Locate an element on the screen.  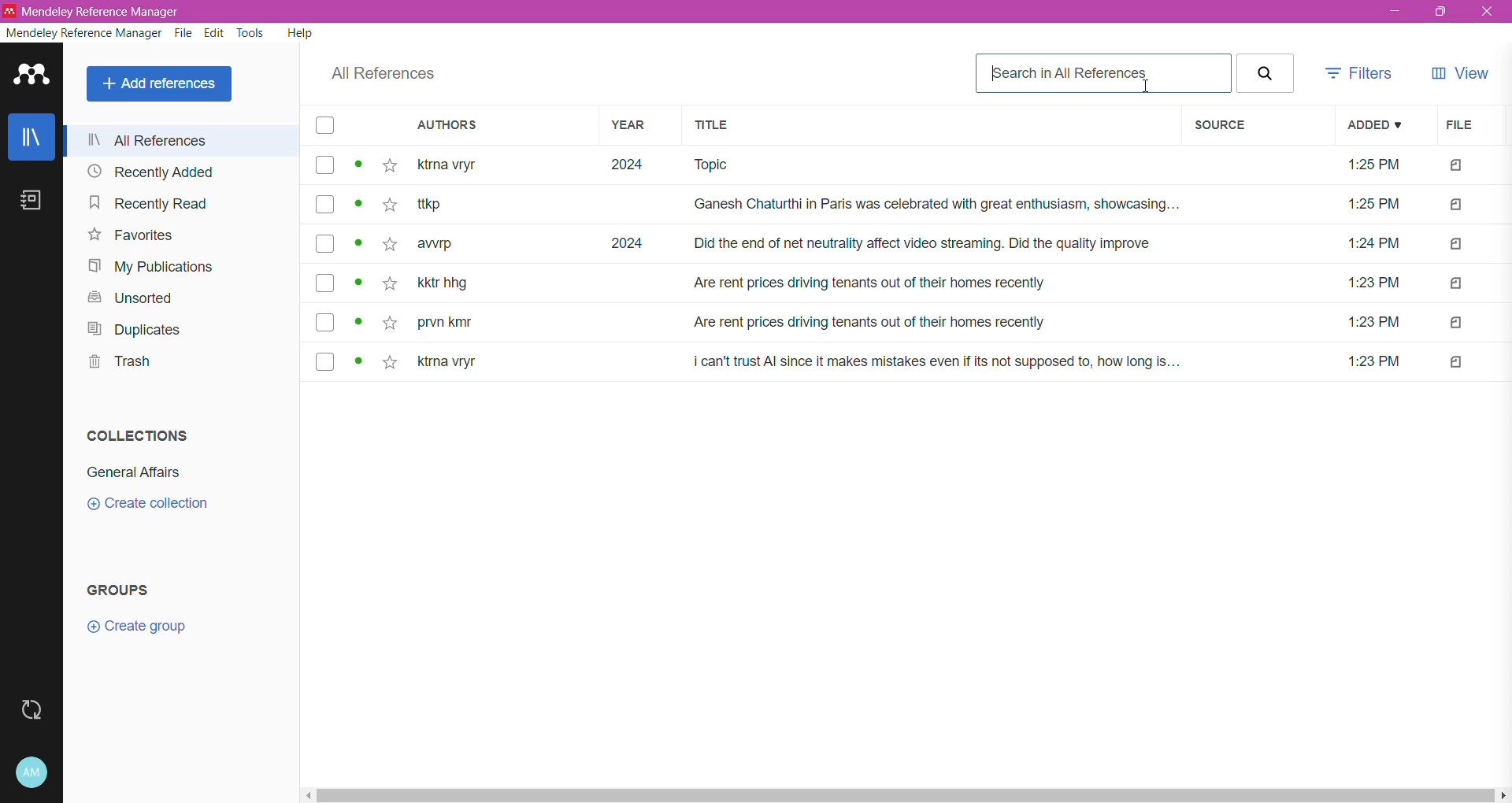
Recently Read is located at coordinates (146, 203).